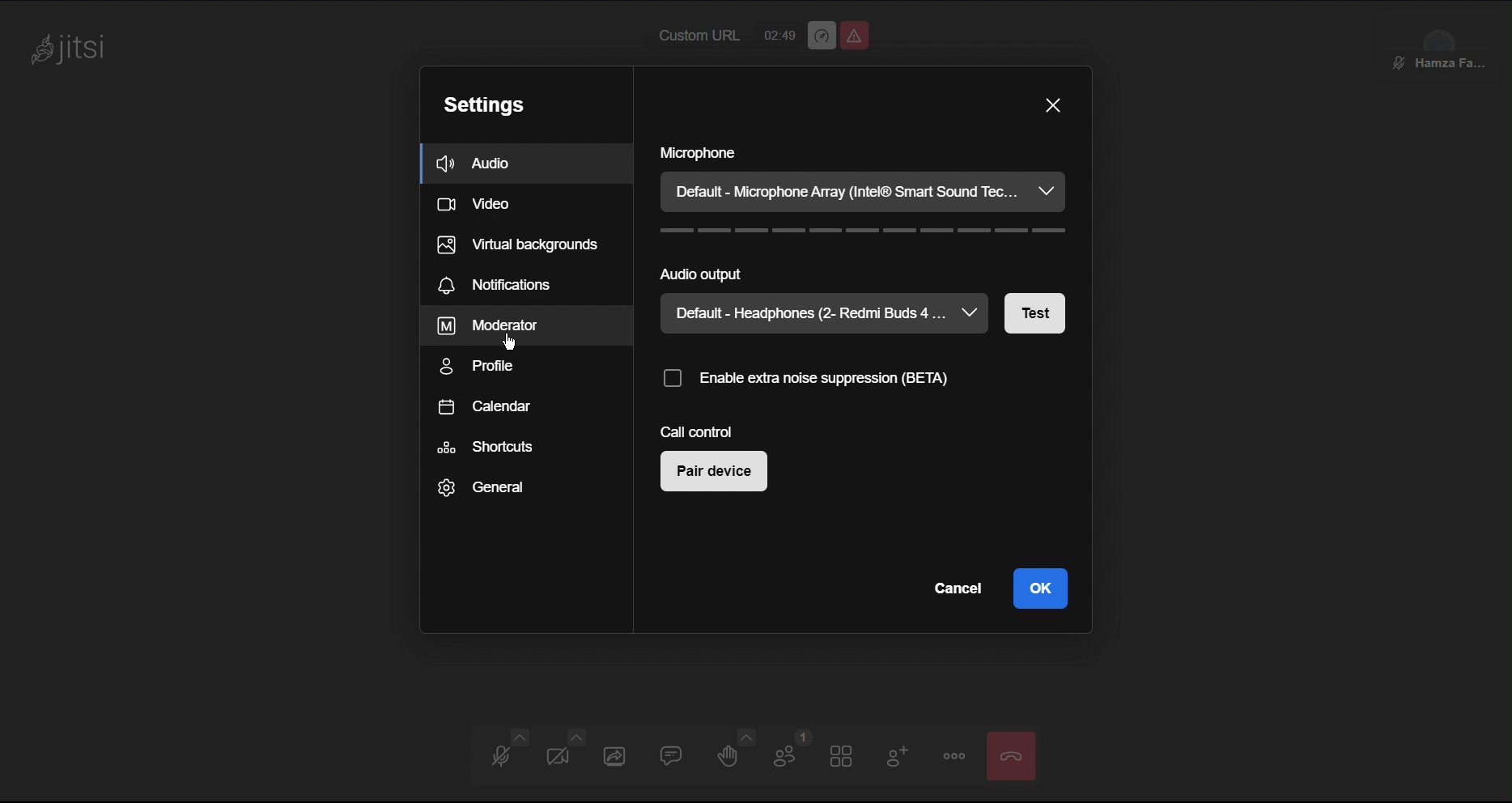 The image size is (1512, 803). Describe the element at coordinates (693, 432) in the screenshot. I see `Call control` at that location.